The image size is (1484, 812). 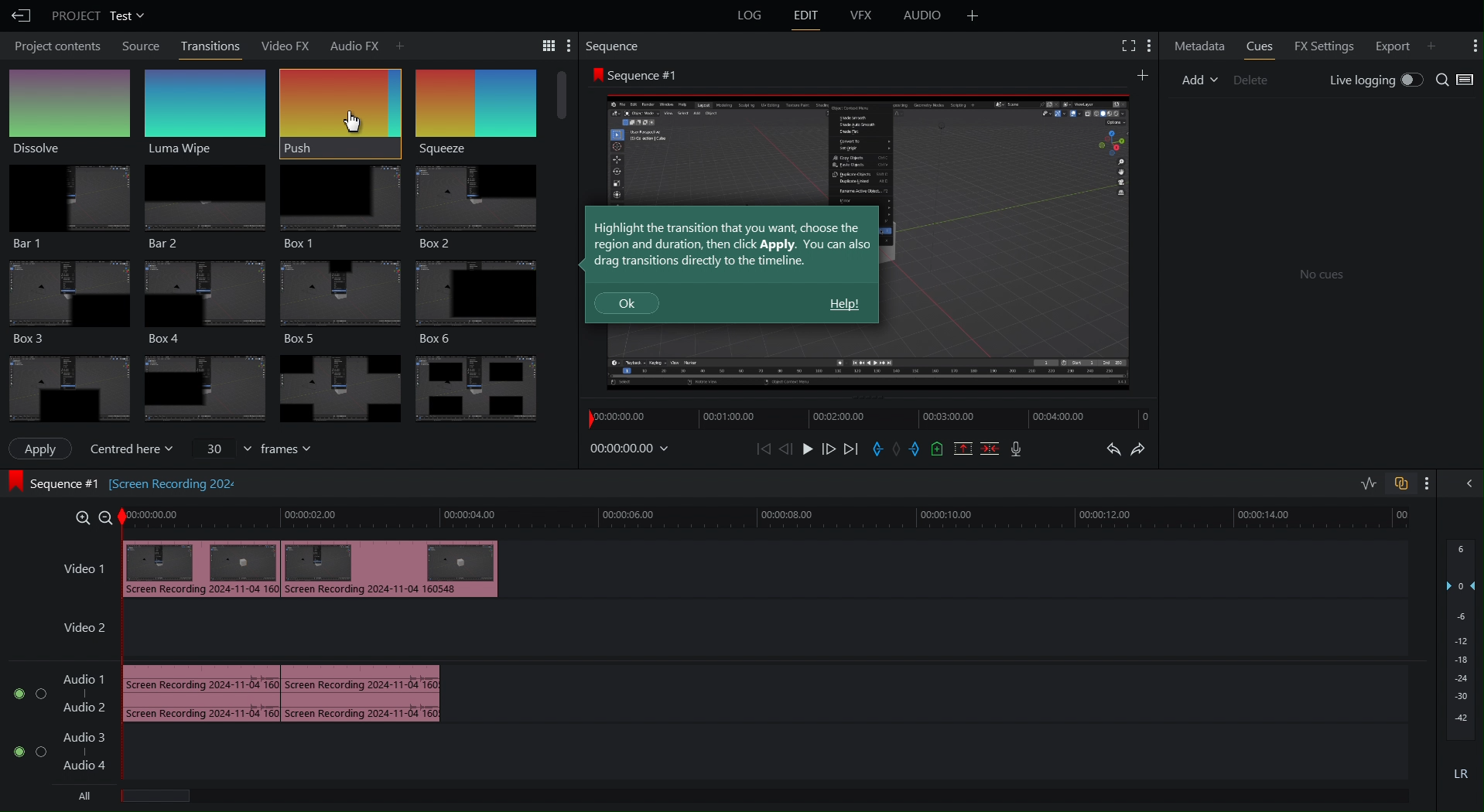 What do you see at coordinates (55, 47) in the screenshot?
I see `Project Contents` at bounding box center [55, 47].